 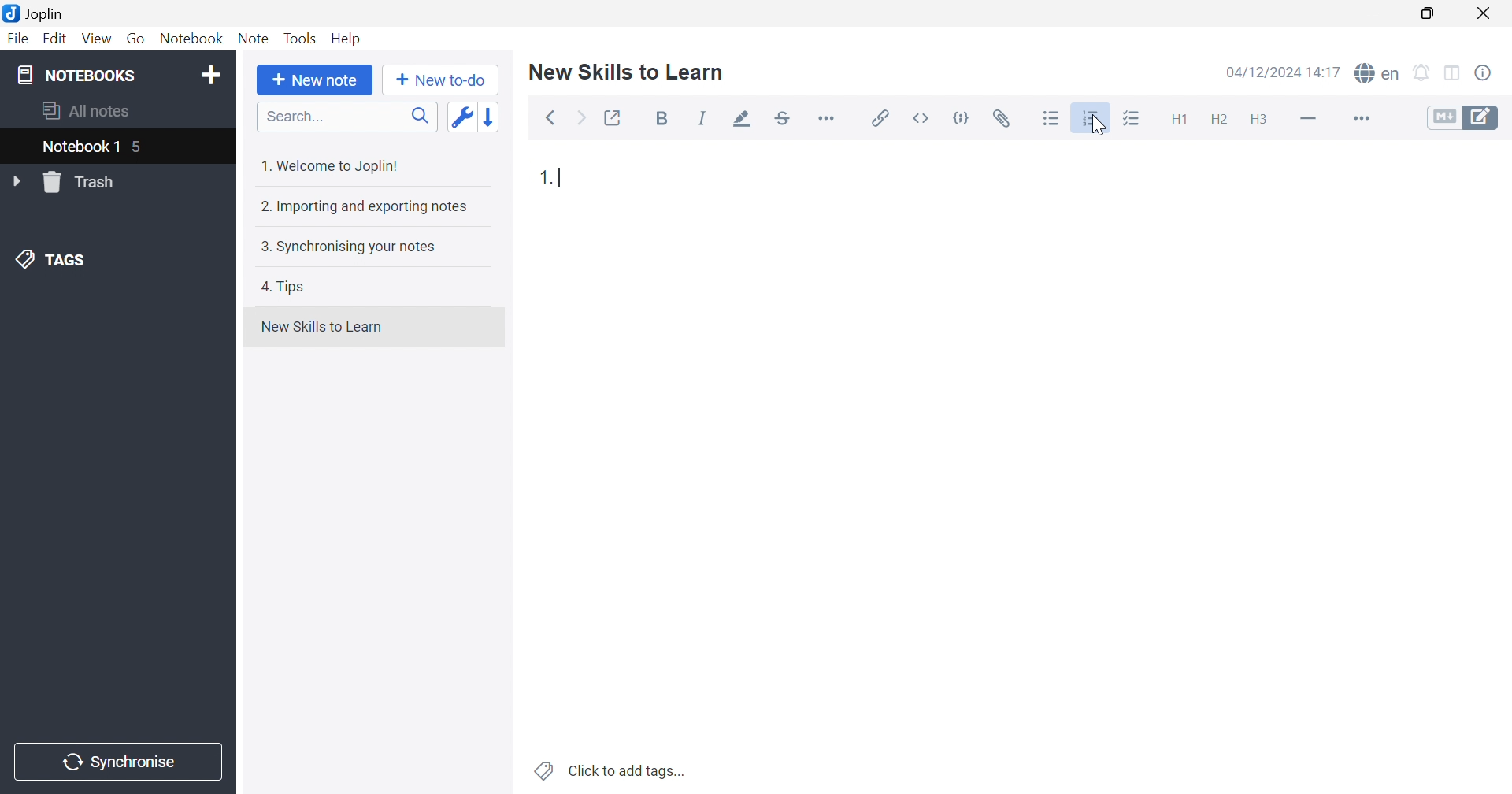 What do you see at coordinates (283, 287) in the screenshot?
I see `4. Tips` at bounding box center [283, 287].